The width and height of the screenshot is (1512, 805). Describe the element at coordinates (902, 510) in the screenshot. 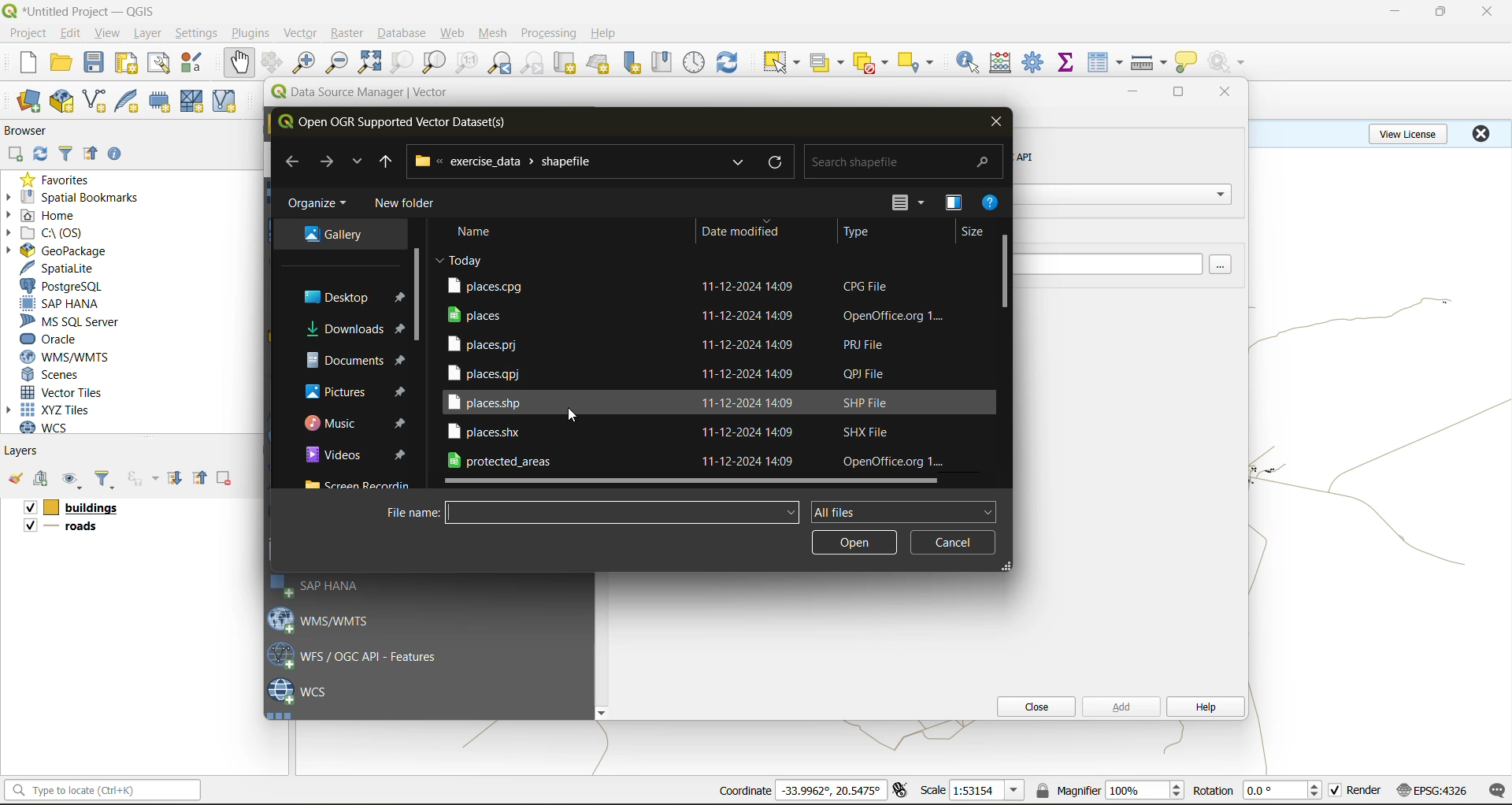

I see `all files` at that location.